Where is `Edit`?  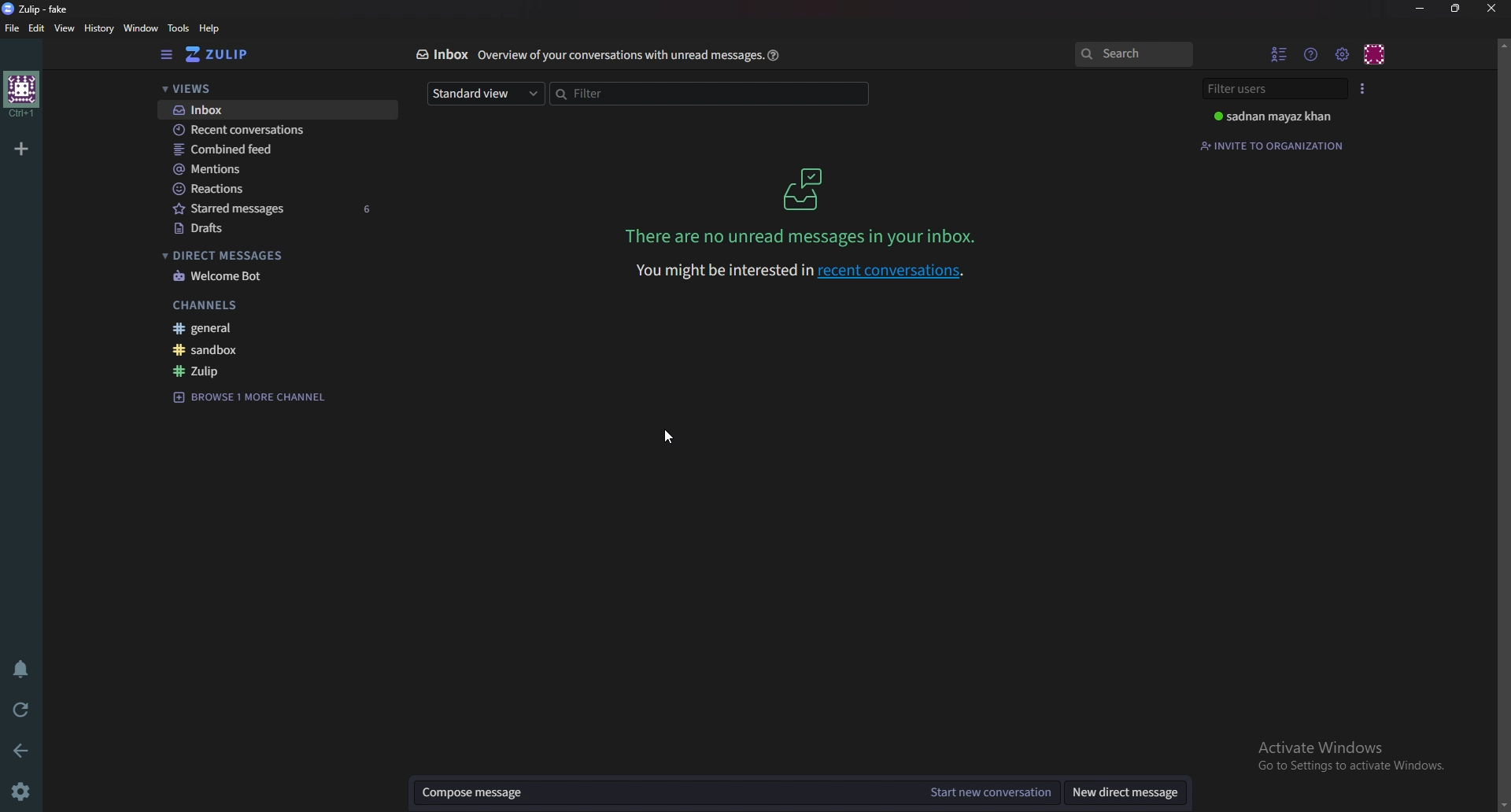
Edit is located at coordinates (37, 28).